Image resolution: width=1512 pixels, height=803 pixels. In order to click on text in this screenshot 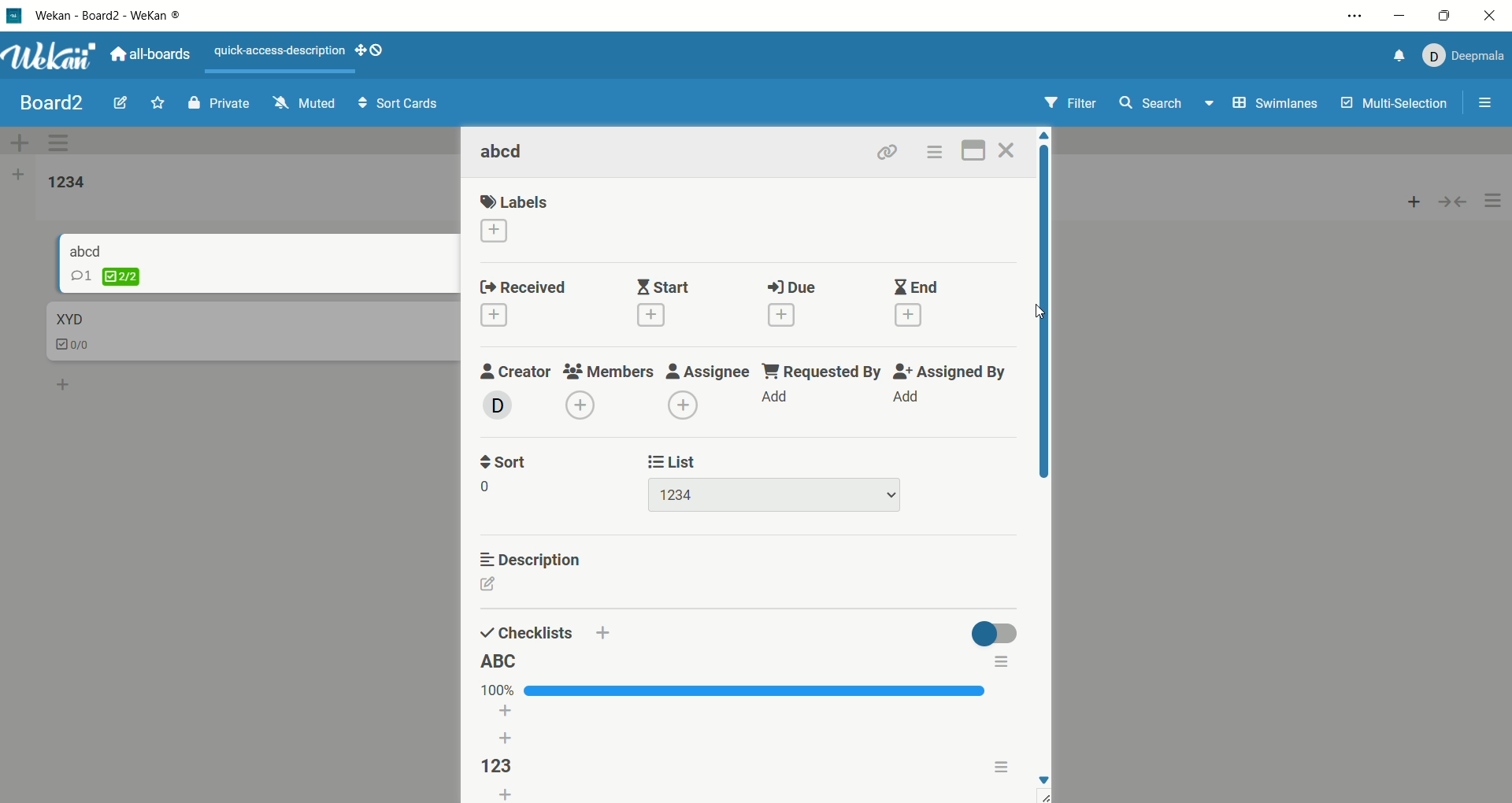, I will do `click(281, 52)`.